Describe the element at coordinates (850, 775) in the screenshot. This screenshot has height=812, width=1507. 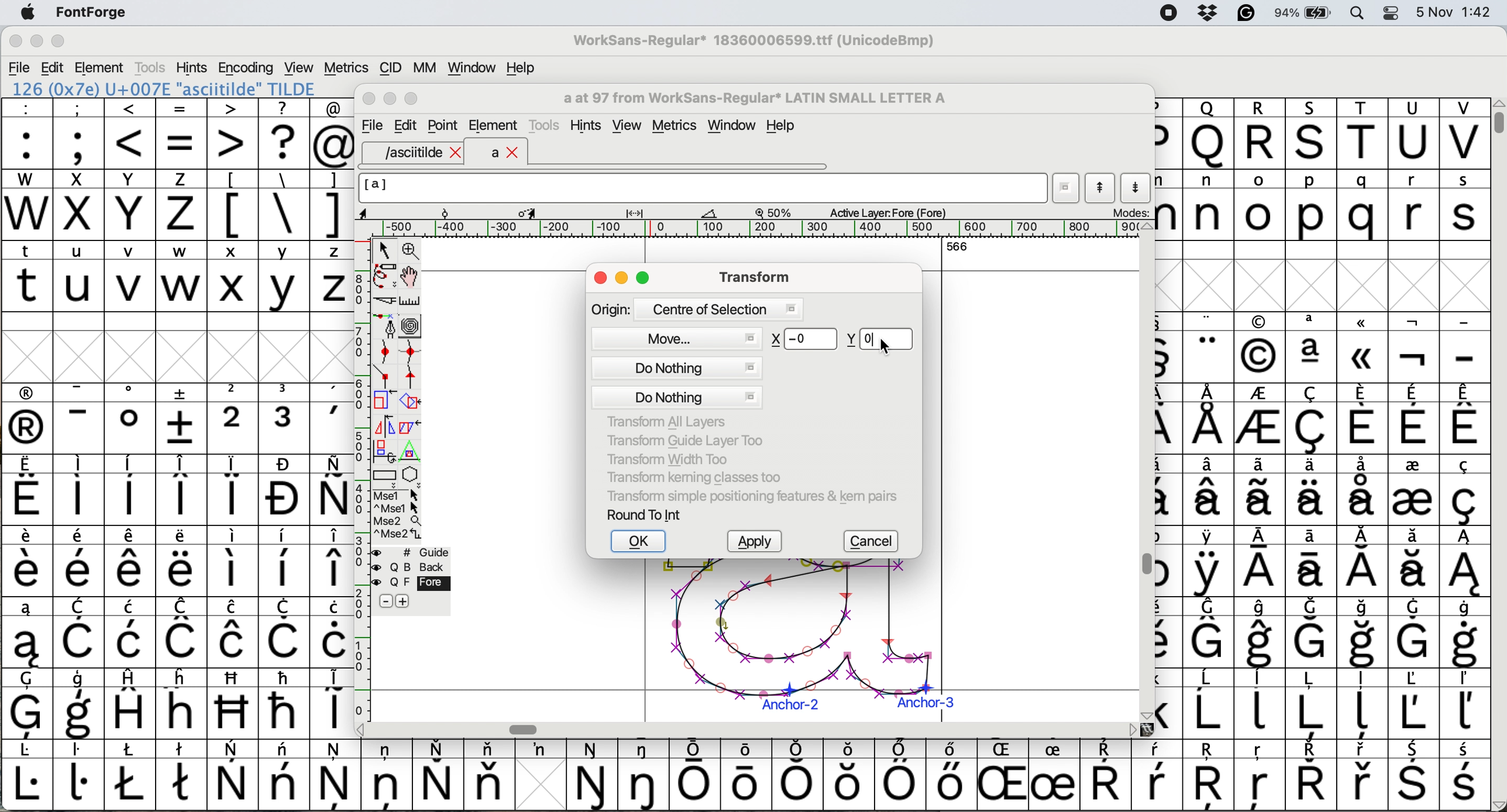
I see `` at that location.